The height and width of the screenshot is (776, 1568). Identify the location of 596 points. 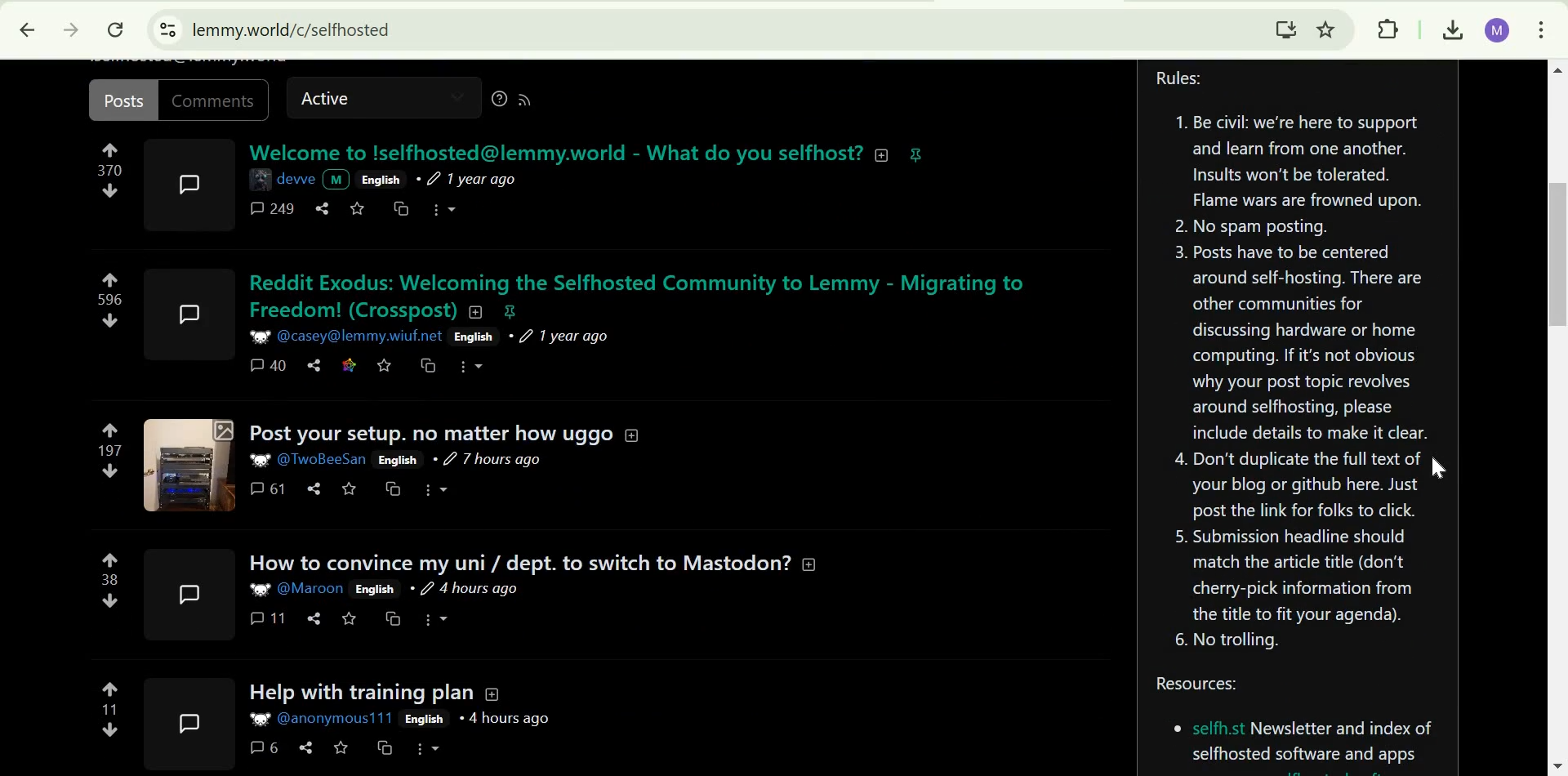
(112, 300).